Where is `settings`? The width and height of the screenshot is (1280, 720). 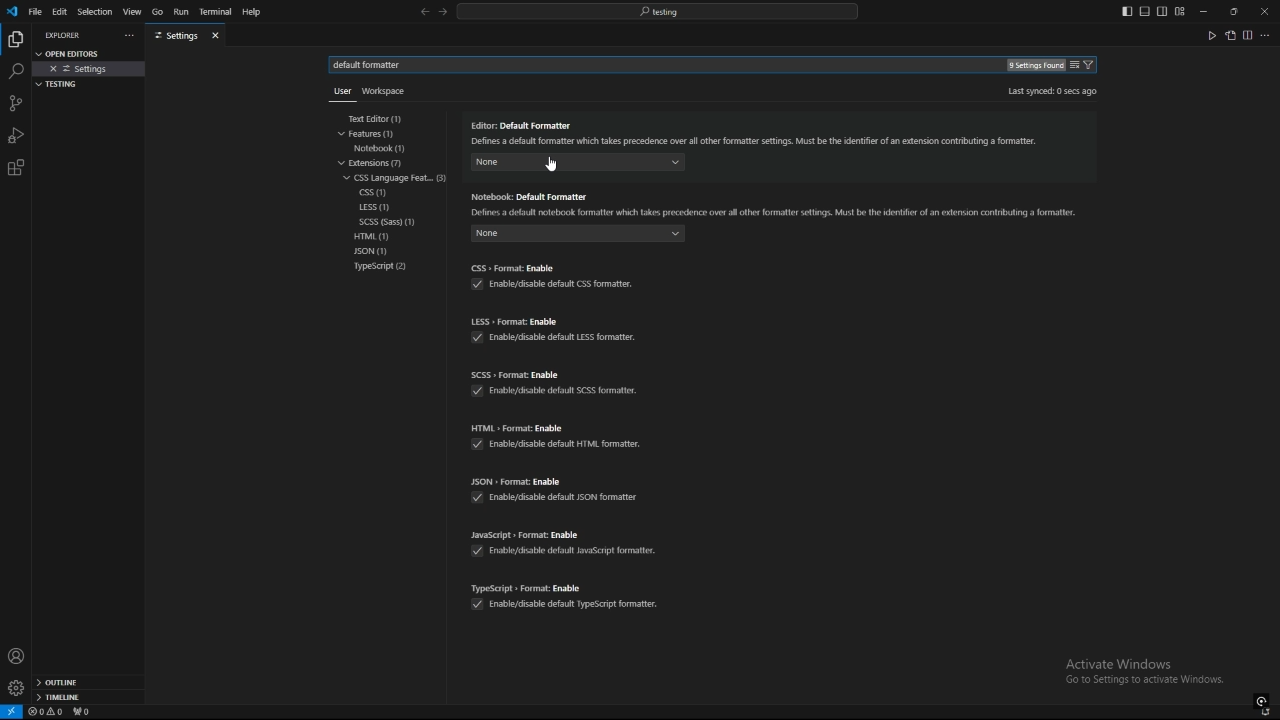
settings is located at coordinates (90, 69).